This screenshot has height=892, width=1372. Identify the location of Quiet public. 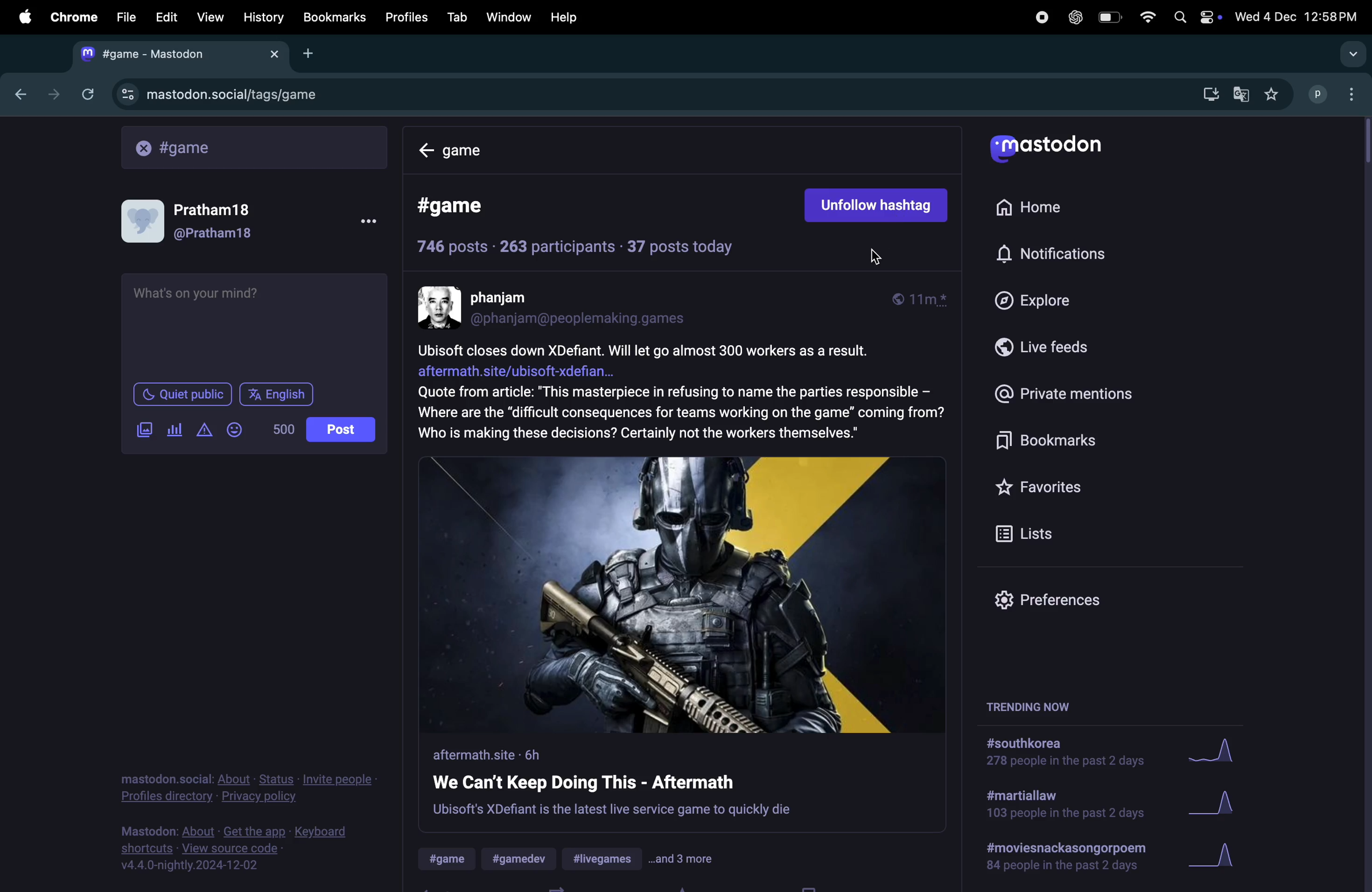
(181, 394).